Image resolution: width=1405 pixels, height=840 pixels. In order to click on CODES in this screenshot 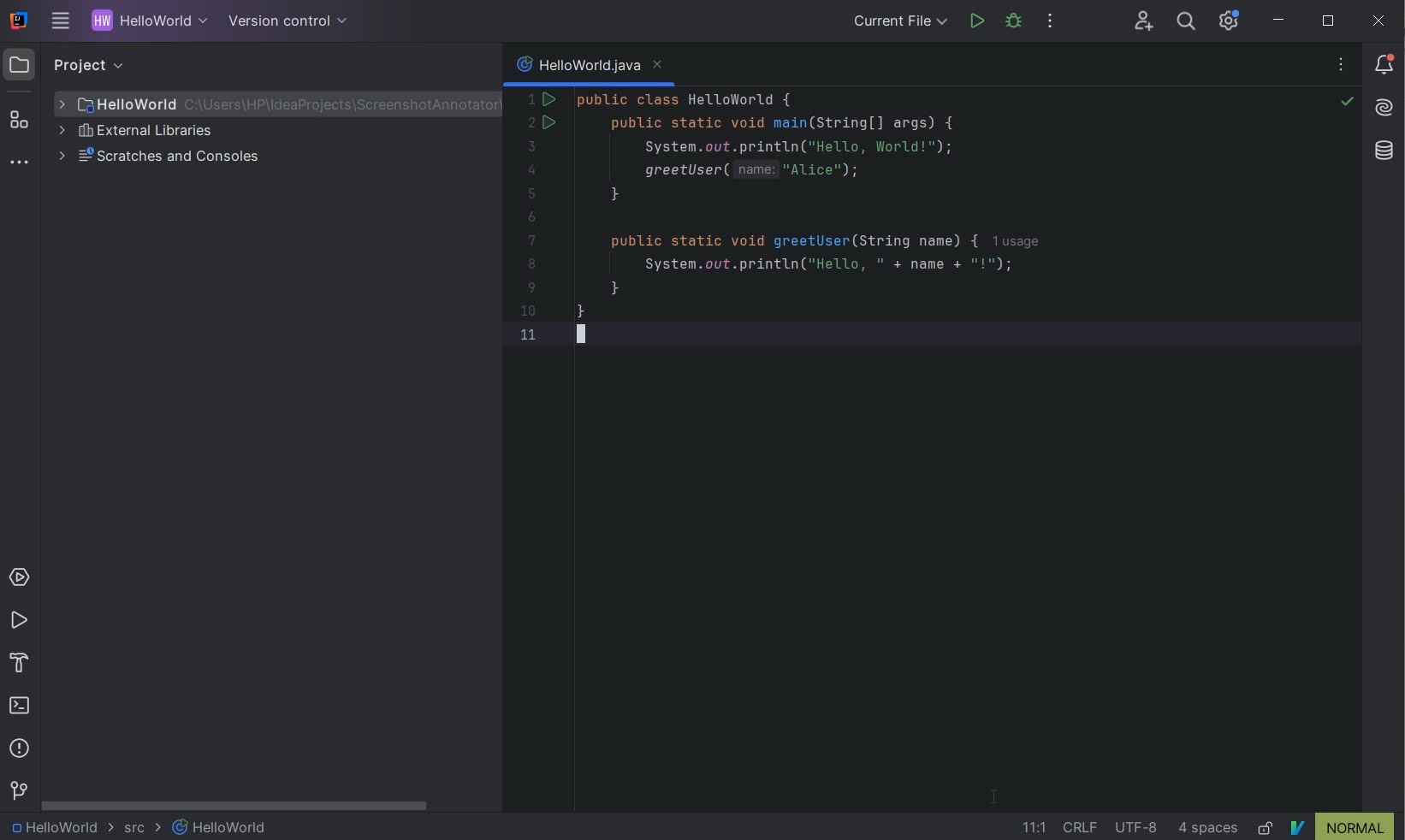, I will do `click(859, 229)`.